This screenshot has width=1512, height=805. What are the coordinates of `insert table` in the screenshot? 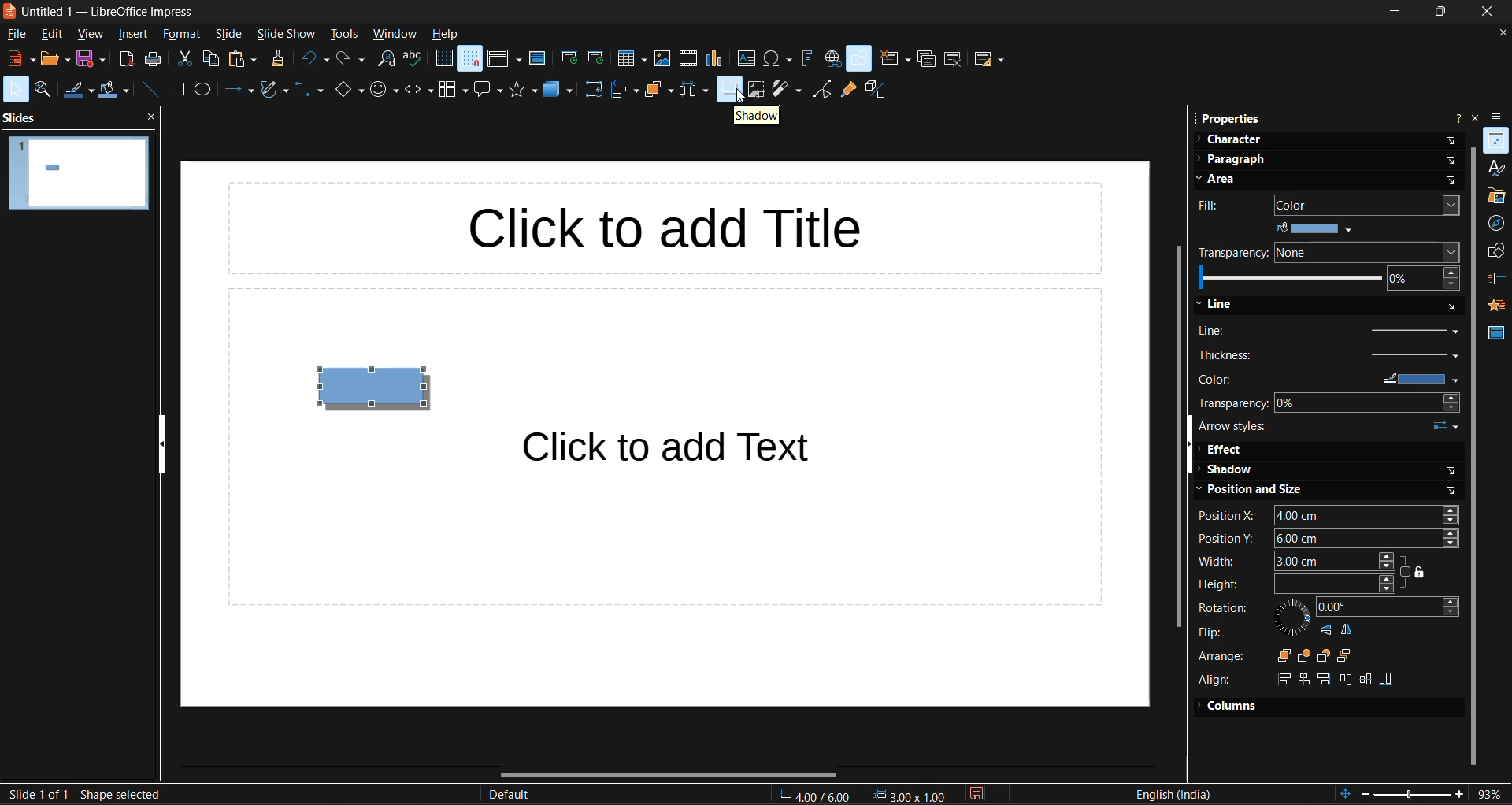 It's located at (630, 61).